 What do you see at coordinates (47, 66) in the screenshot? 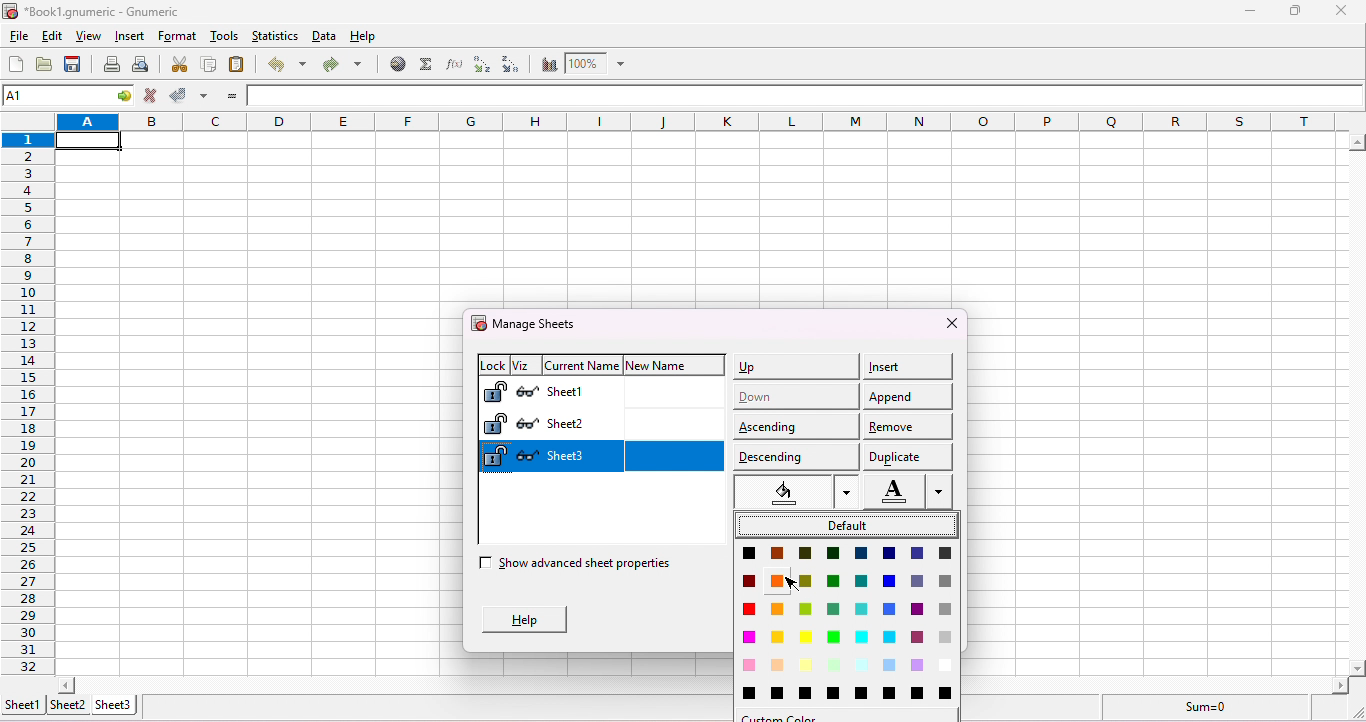
I see `open a file` at bounding box center [47, 66].